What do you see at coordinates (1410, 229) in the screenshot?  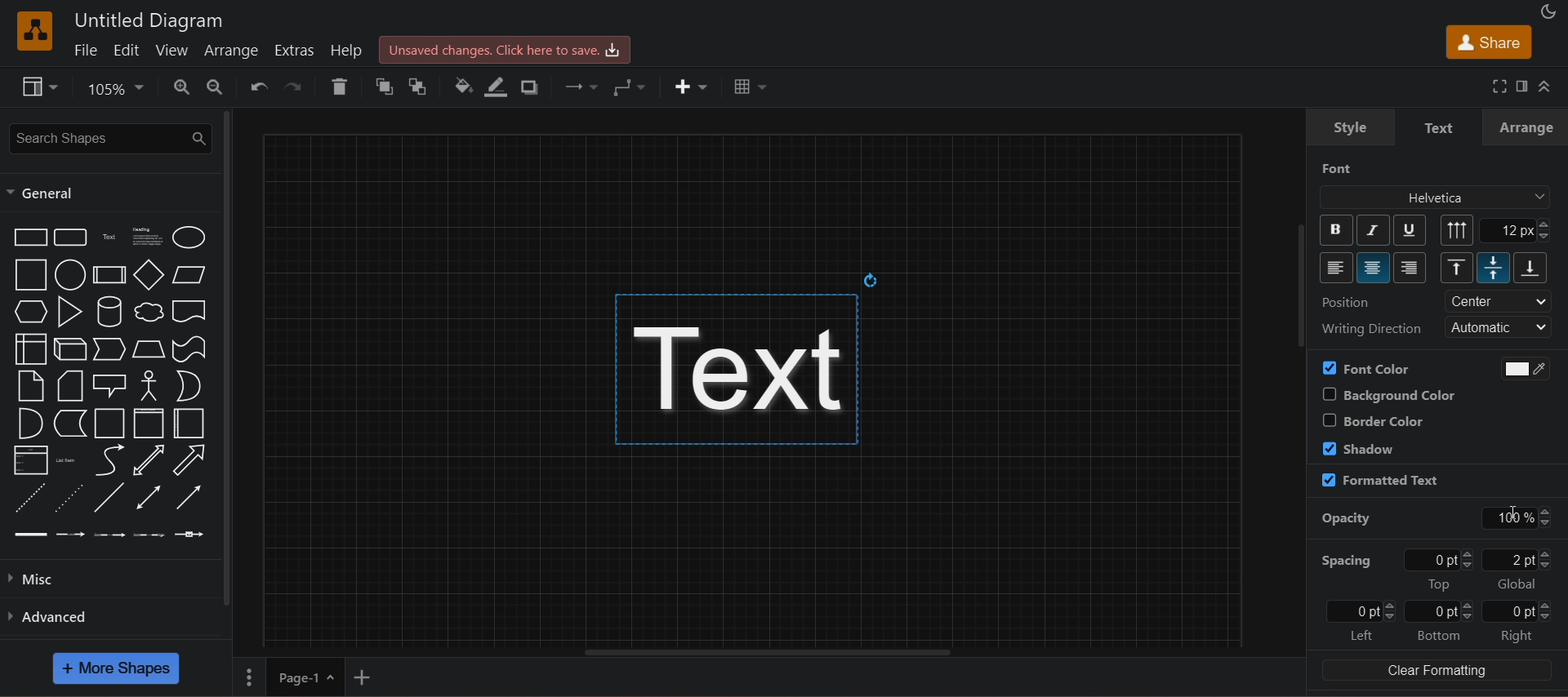 I see `underline` at bounding box center [1410, 229].